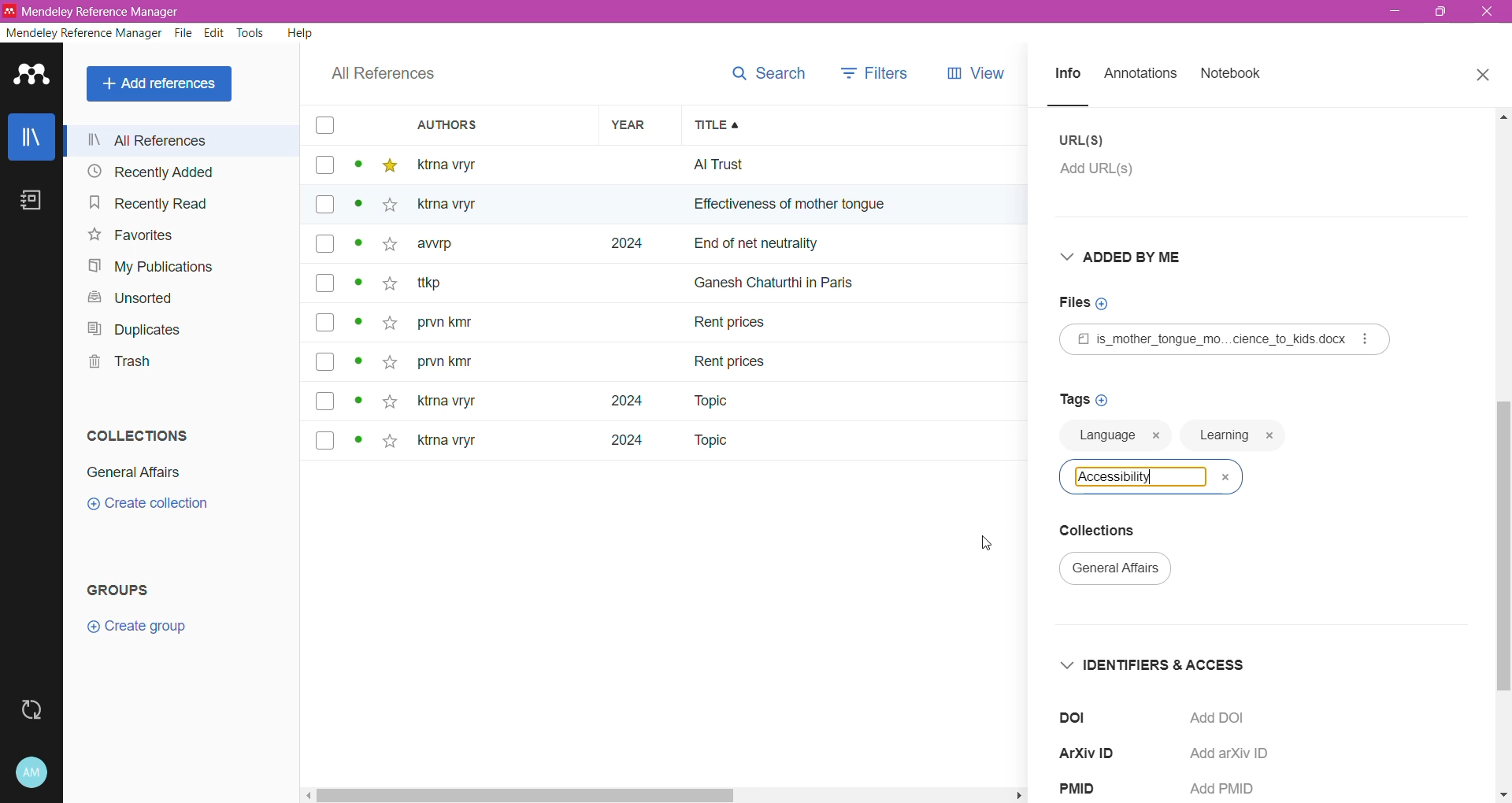 The width and height of the screenshot is (1512, 803). What do you see at coordinates (875, 72) in the screenshot?
I see `filters ` at bounding box center [875, 72].